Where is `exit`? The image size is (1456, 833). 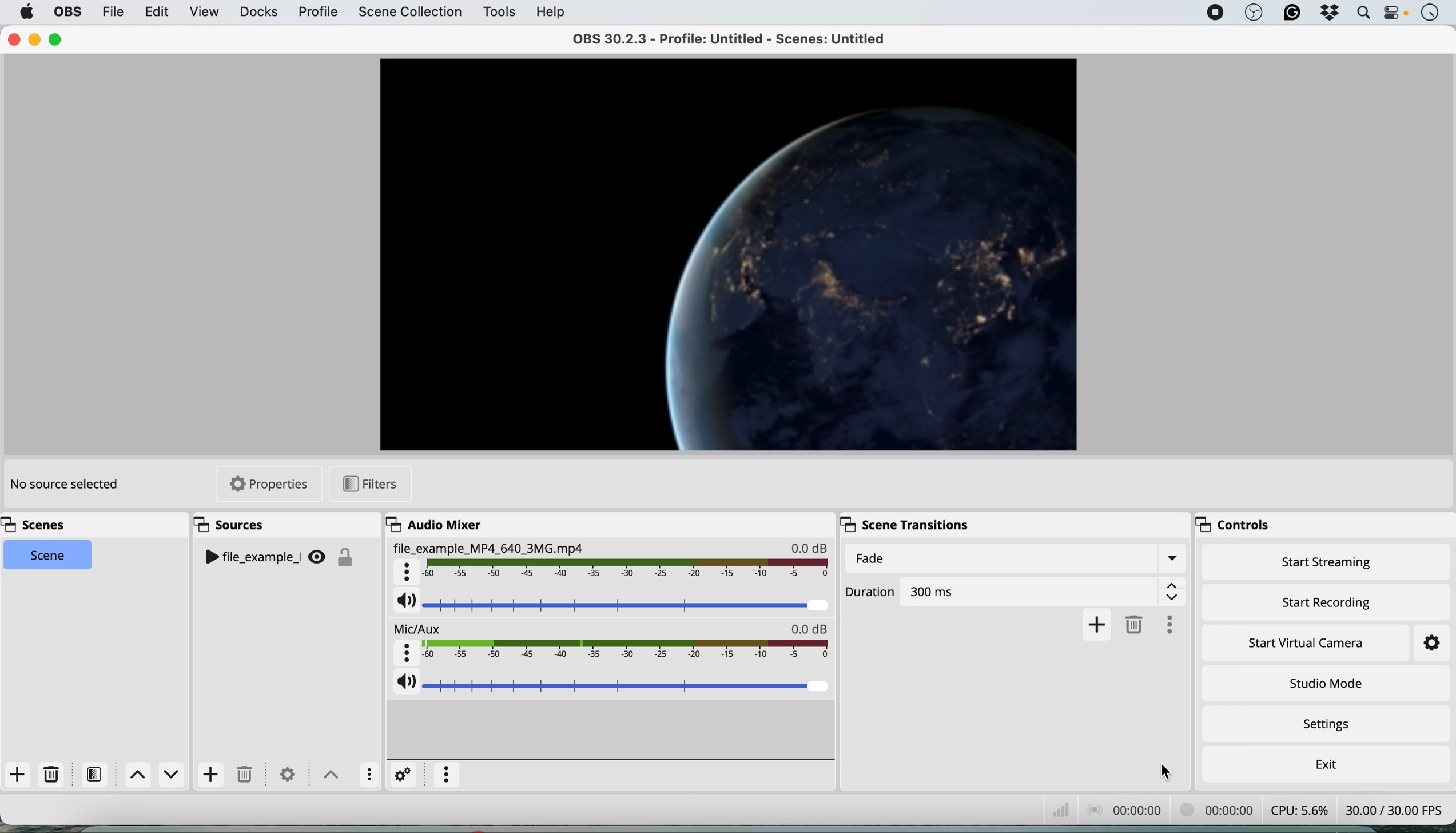
exit is located at coordinates (1323, 761).